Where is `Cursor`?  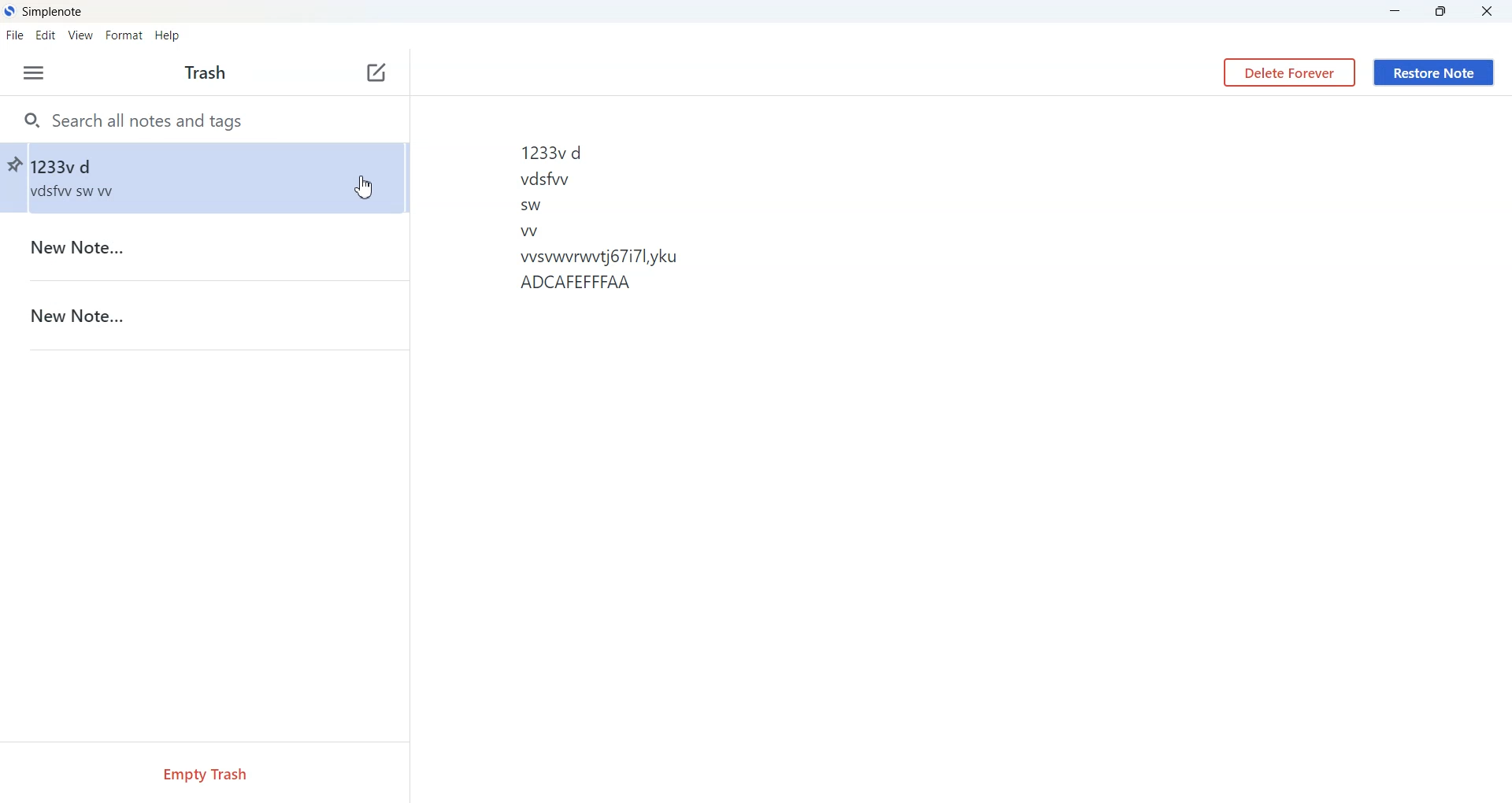
Cursor is located at coordinates (363, 187).